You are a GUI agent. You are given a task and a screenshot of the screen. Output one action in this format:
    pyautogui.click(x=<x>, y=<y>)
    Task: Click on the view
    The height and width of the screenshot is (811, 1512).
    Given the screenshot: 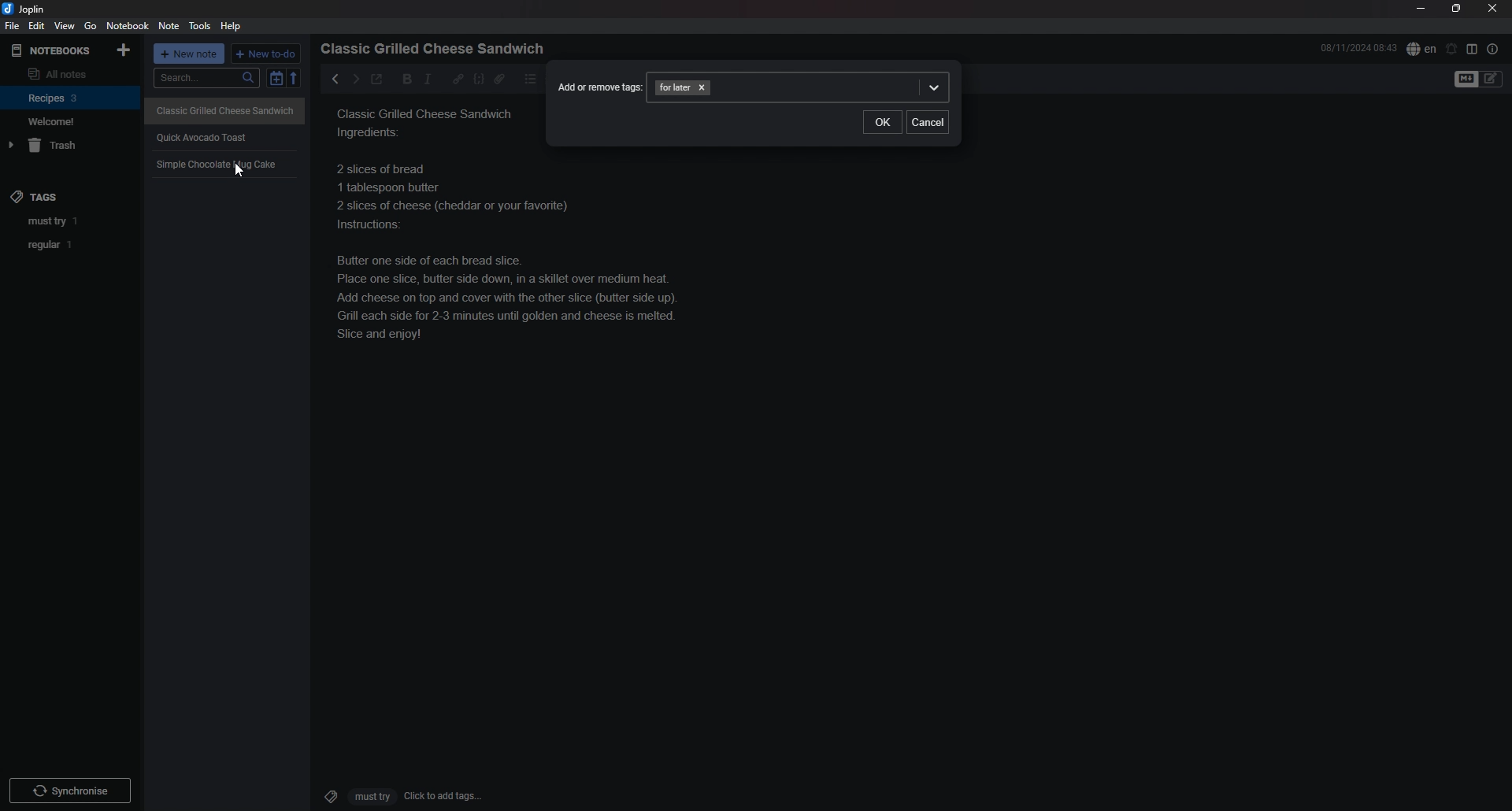 What is the action you would take?
    pyautogui.click(x=64, y=26)
    